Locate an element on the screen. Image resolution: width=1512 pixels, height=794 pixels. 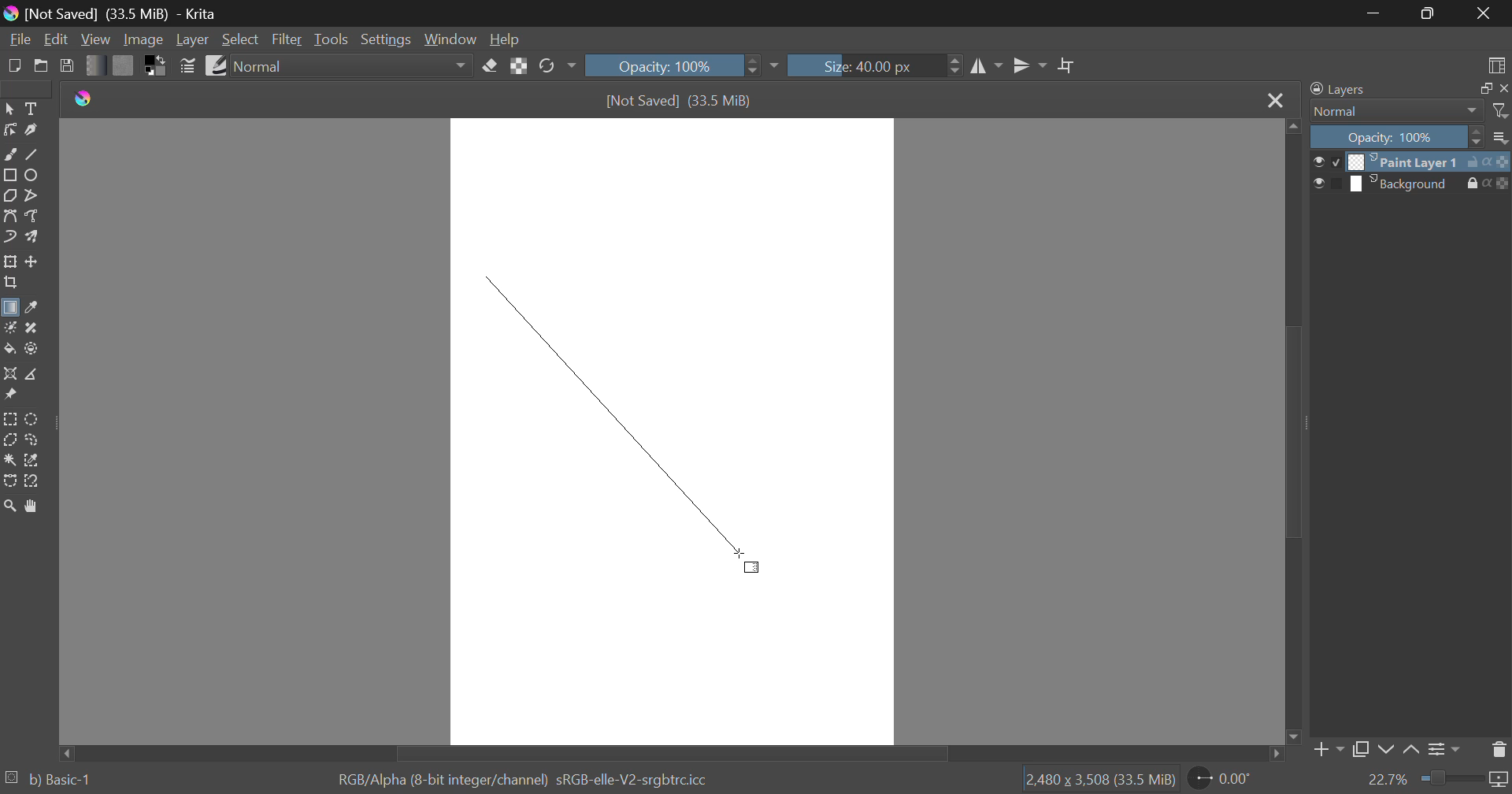
Settings is located at coordinates (384, 39).